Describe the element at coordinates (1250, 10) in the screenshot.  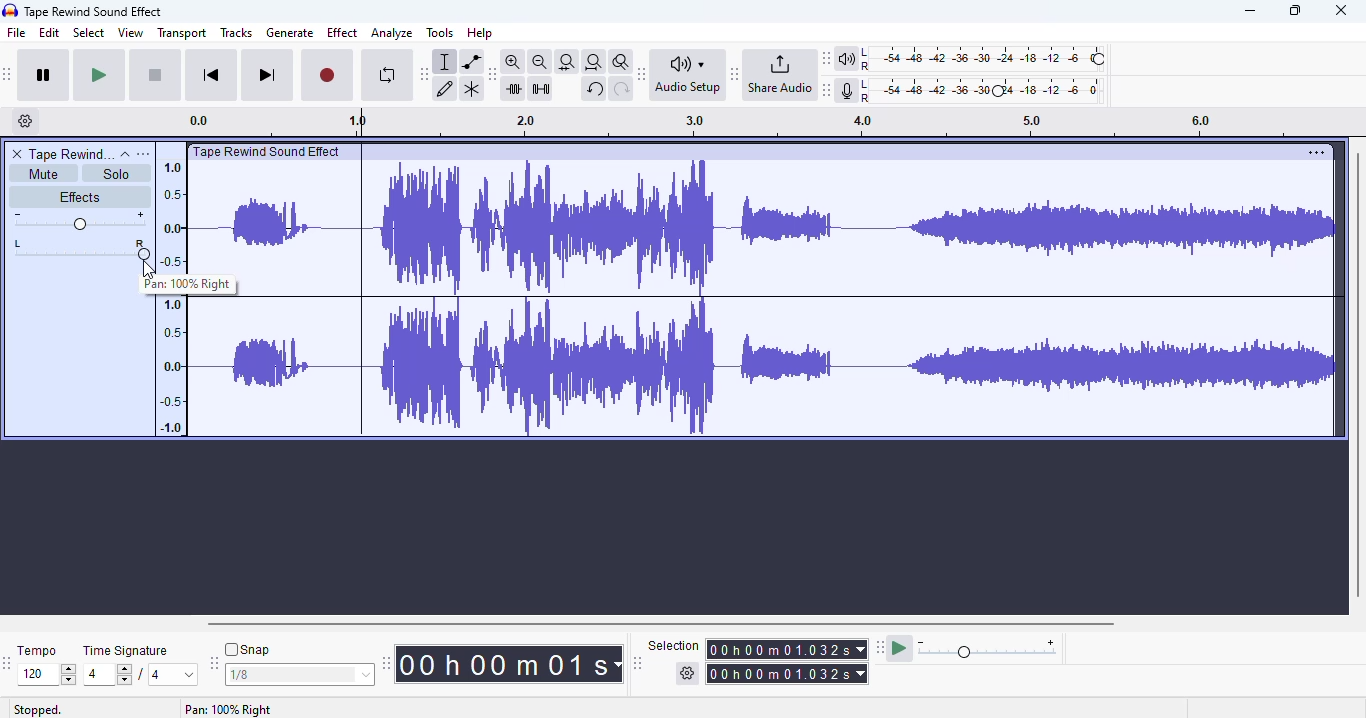
I see `minimize` at that location.